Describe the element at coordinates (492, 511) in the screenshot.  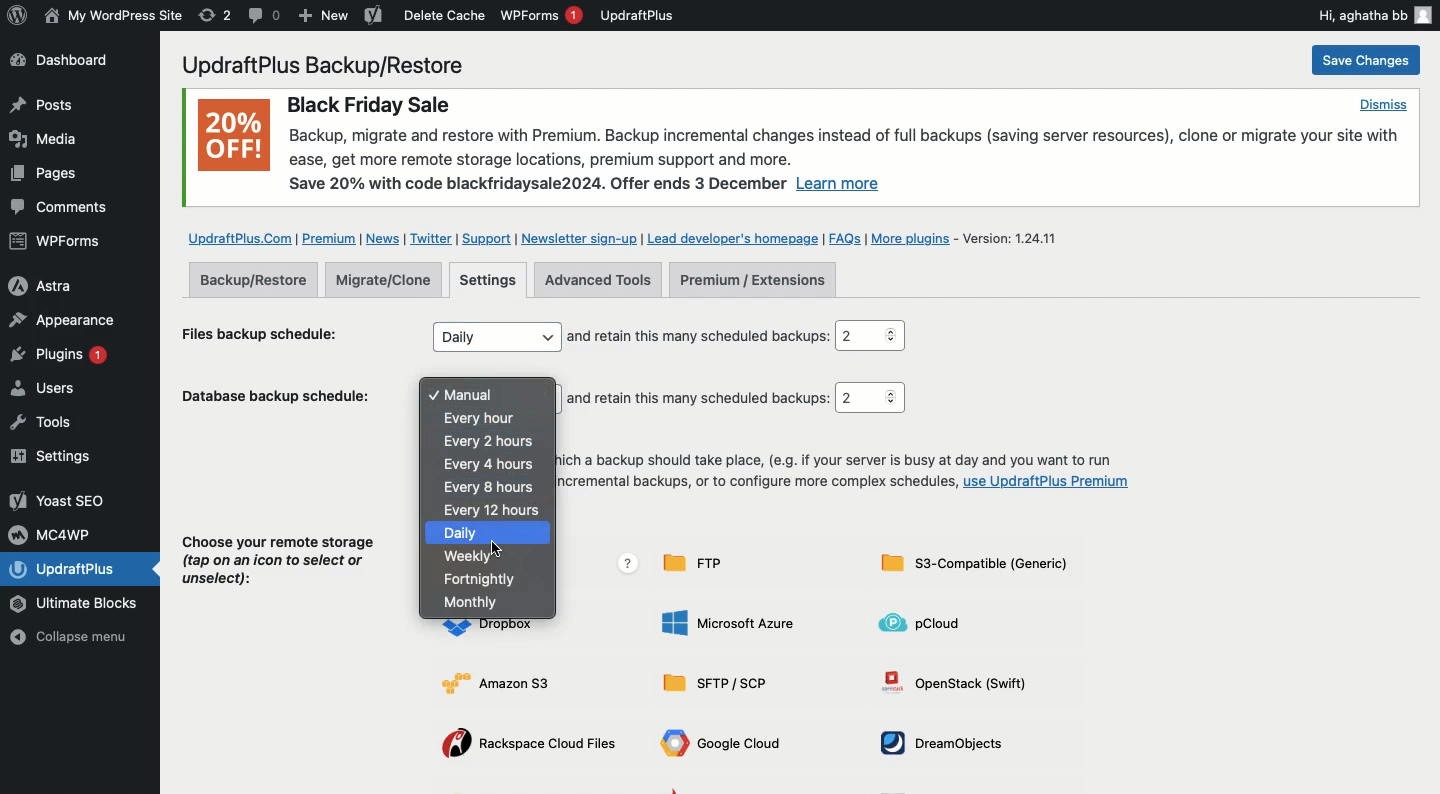
I see `Every 12 hours` at that location.